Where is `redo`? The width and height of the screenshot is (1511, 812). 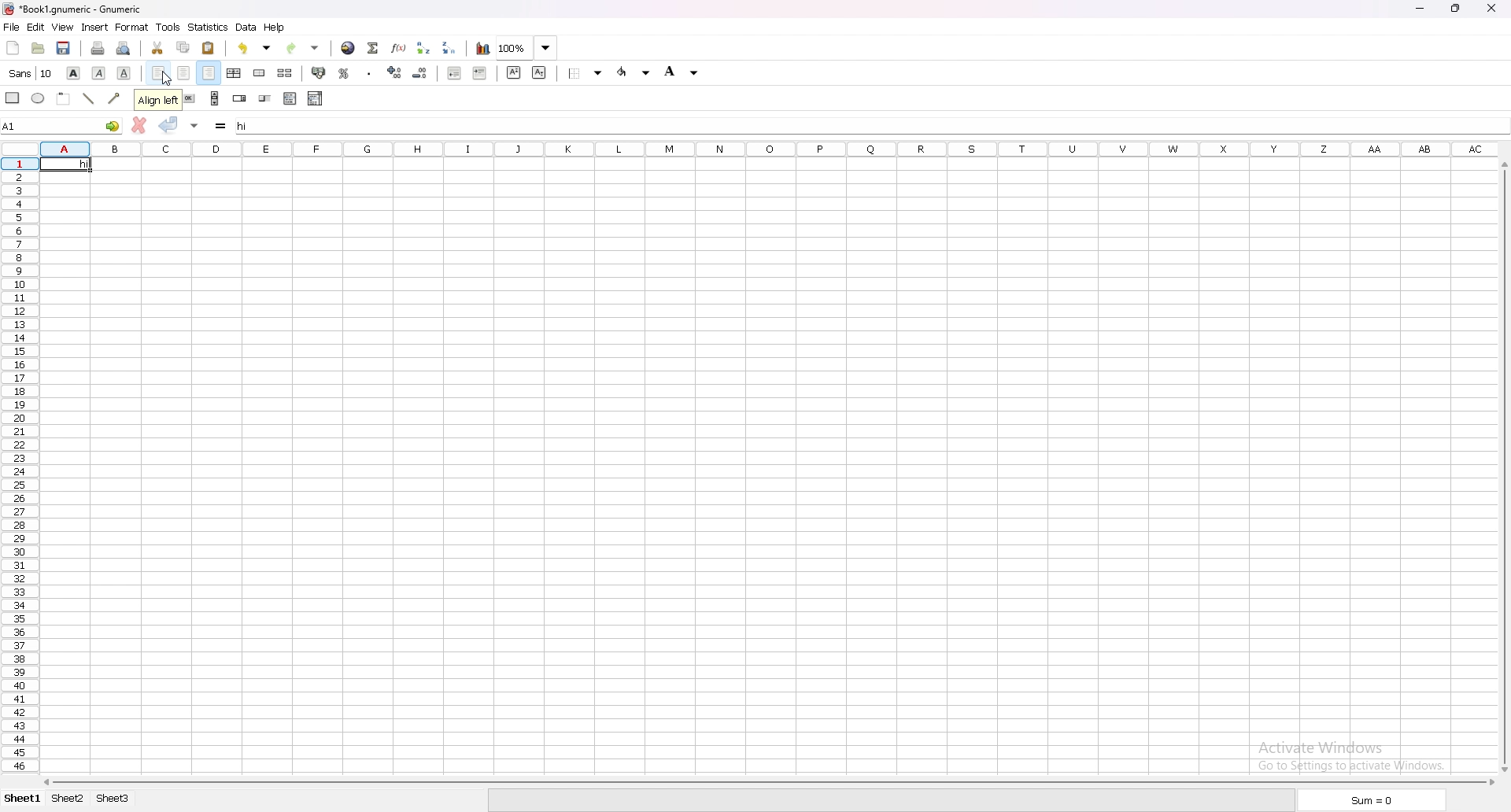
redo is located at coordinates (301, 48).